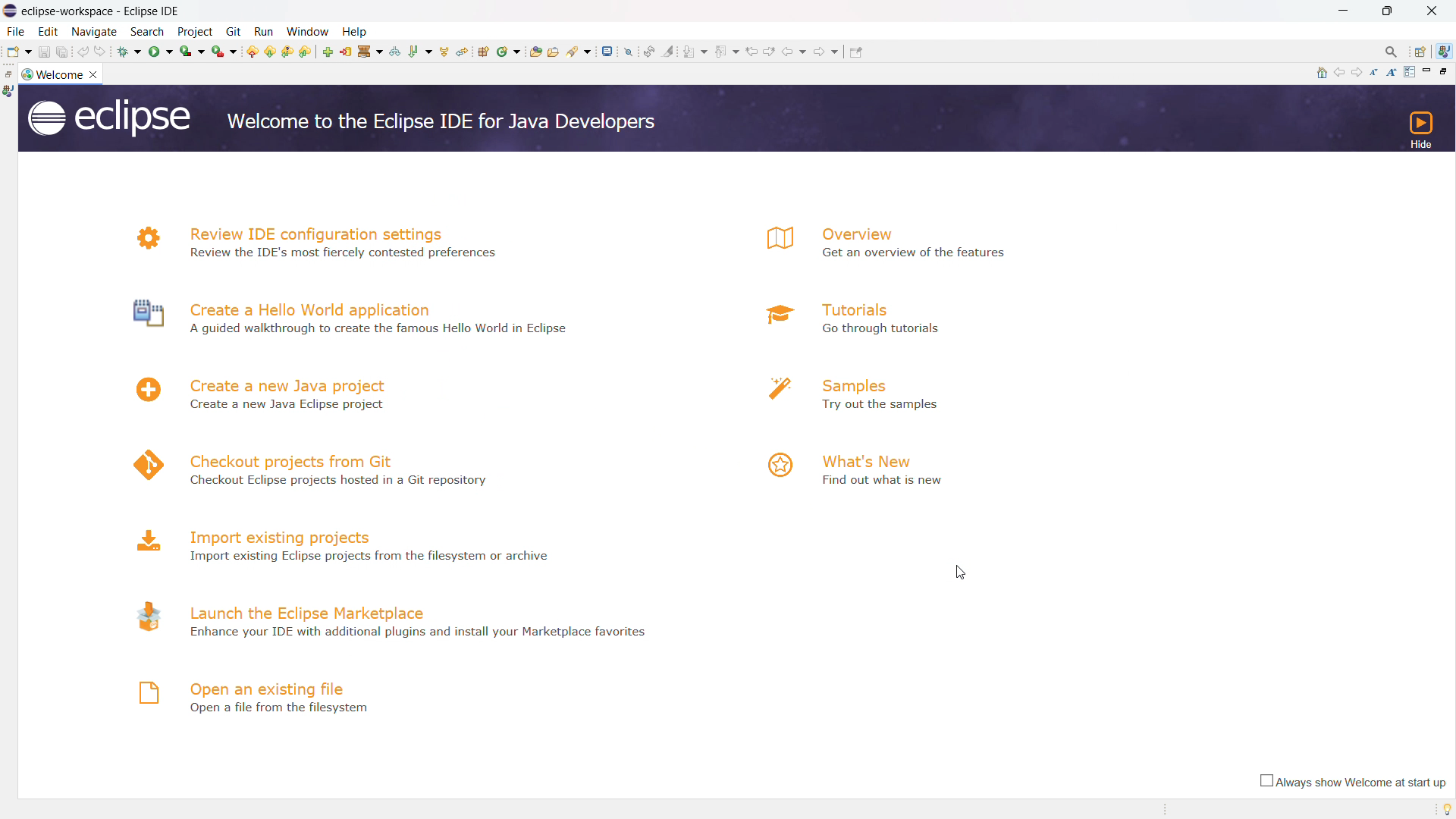 Image resolution: width=1456 pixels, height=819 pixels. I want to click on toggle ant mark occurrences, so click(671, 51).